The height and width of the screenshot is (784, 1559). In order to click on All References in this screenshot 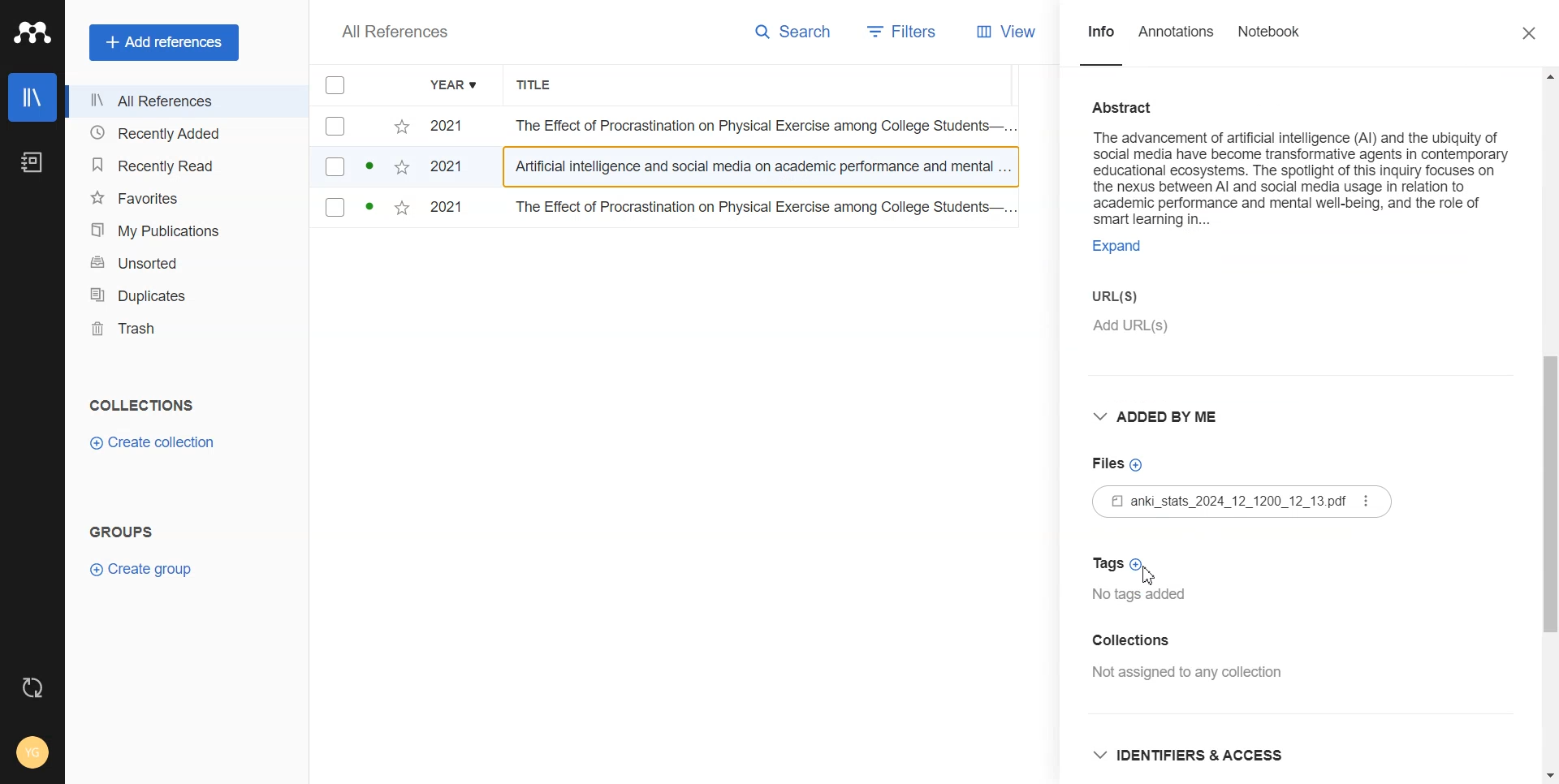, I will do `click(186, 103)`.